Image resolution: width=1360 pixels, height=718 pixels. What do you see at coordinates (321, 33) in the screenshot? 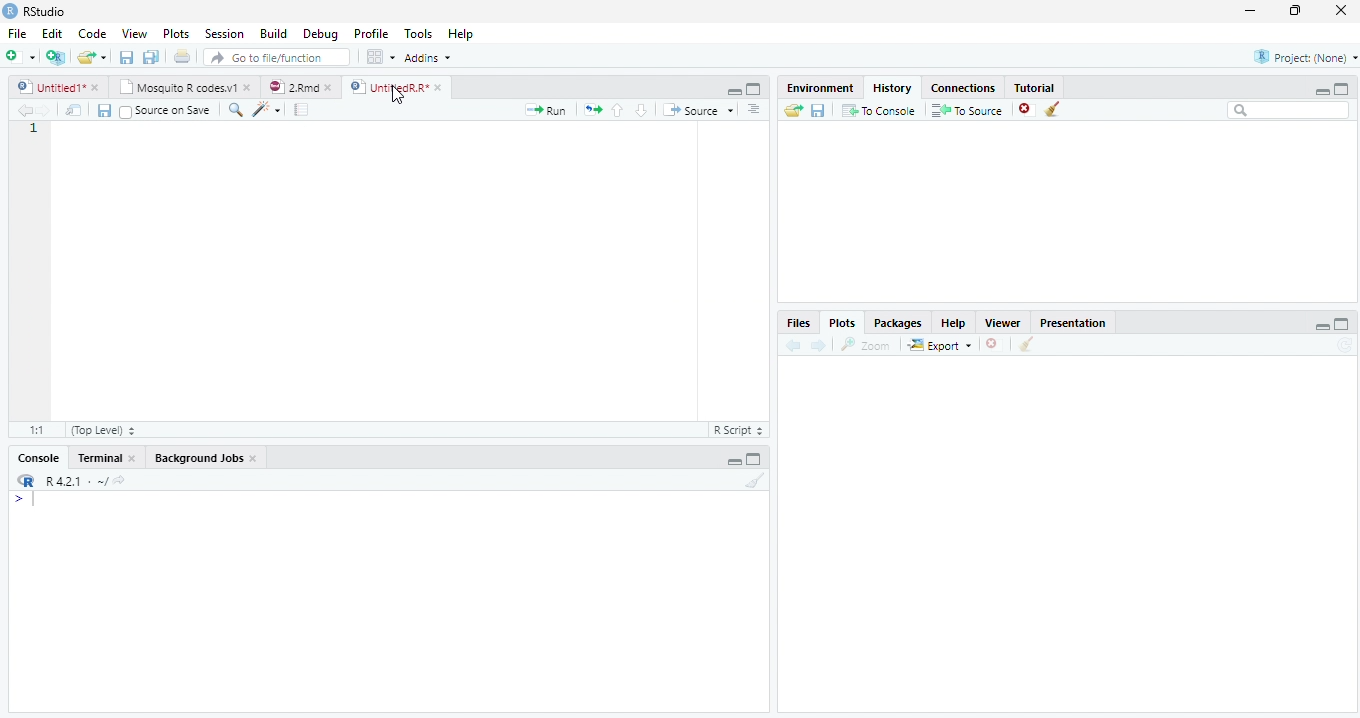
I see `Debug` at bounding box center [321, 33].